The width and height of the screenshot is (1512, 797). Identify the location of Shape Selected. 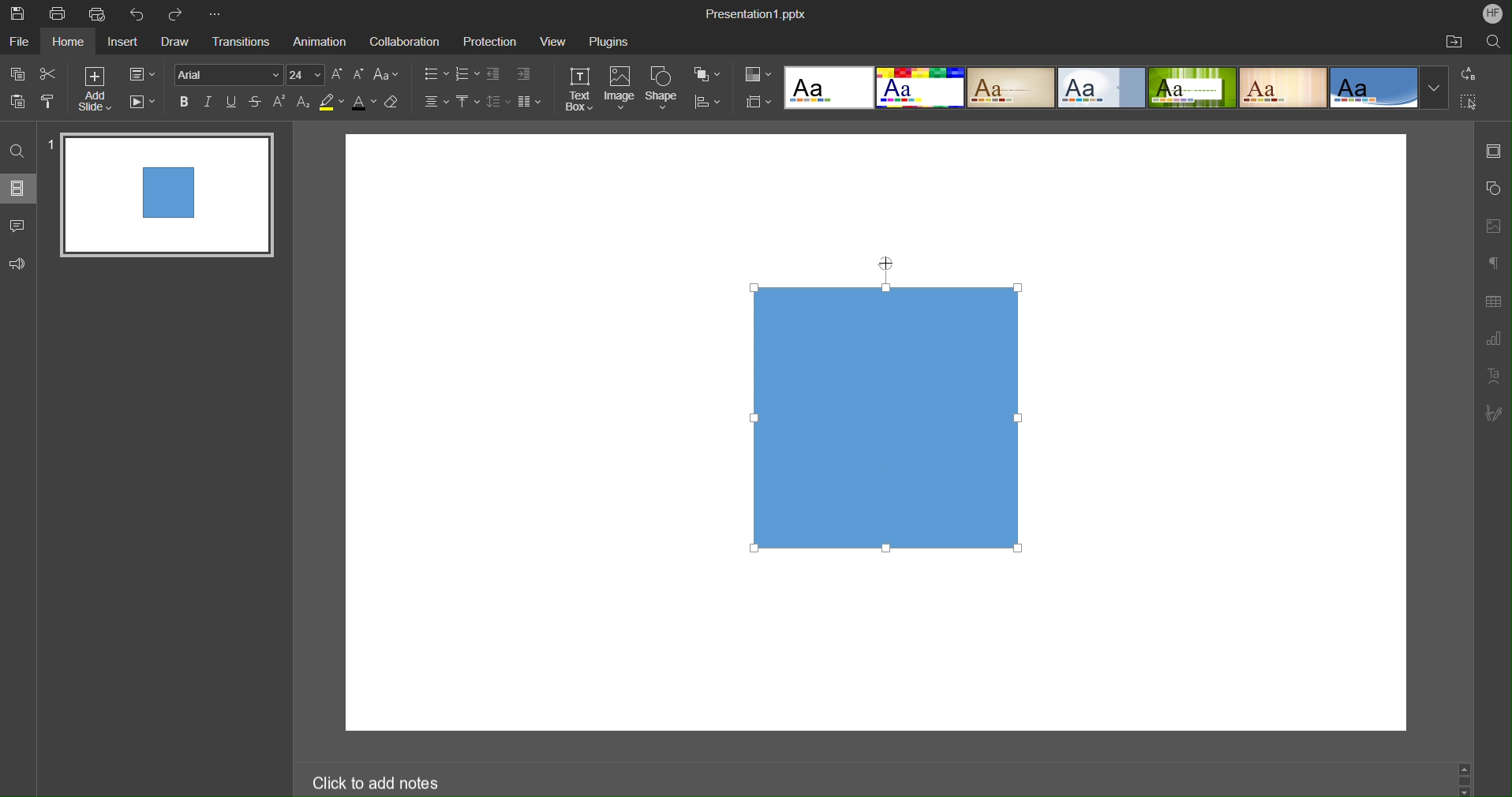
(889, 408).